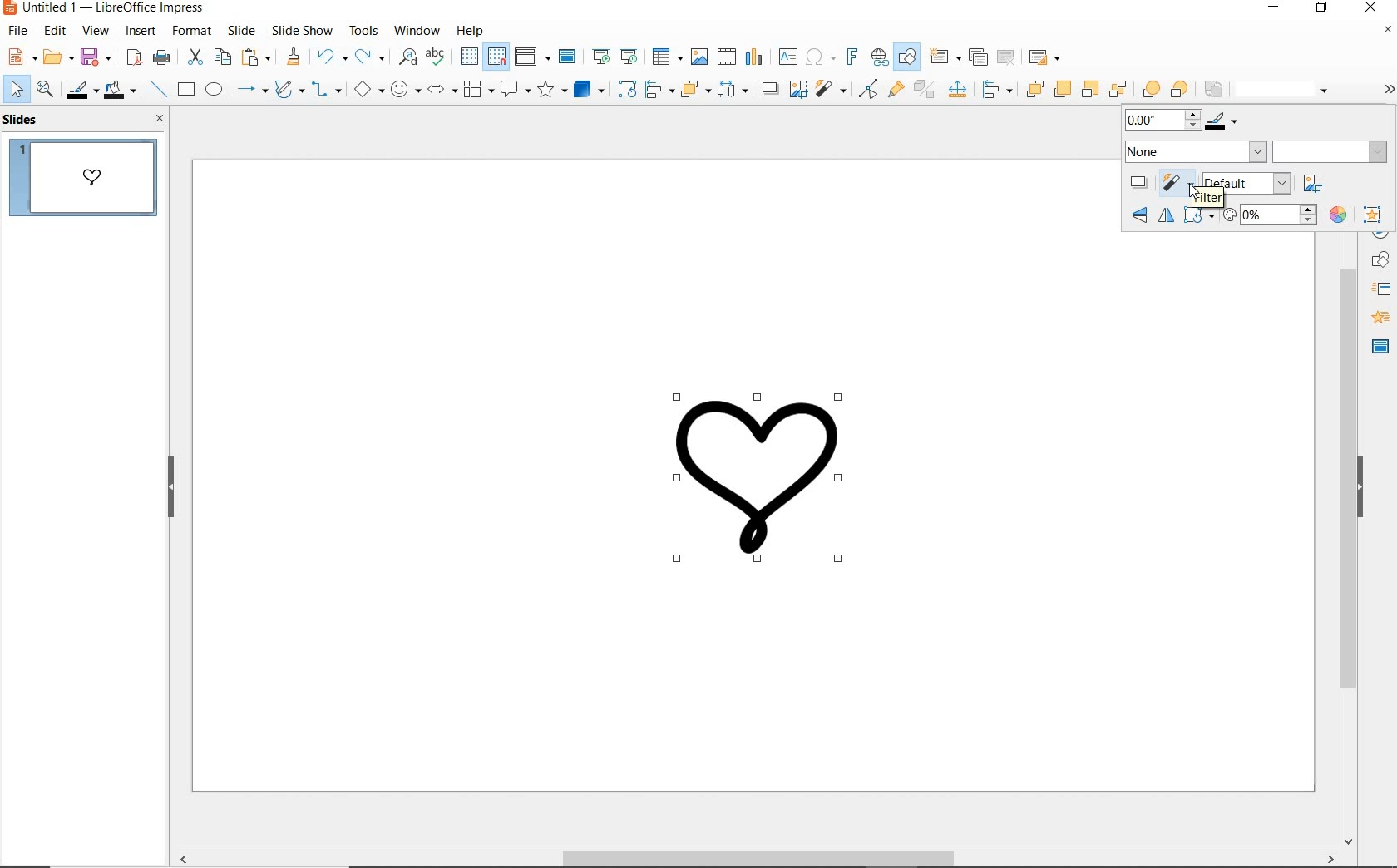 The width and height of the screenshot is (1397, 868). What do you see at coordinates (171, 489) in the screenshot?
I see `HIDE` at bounding box center [171, 489].